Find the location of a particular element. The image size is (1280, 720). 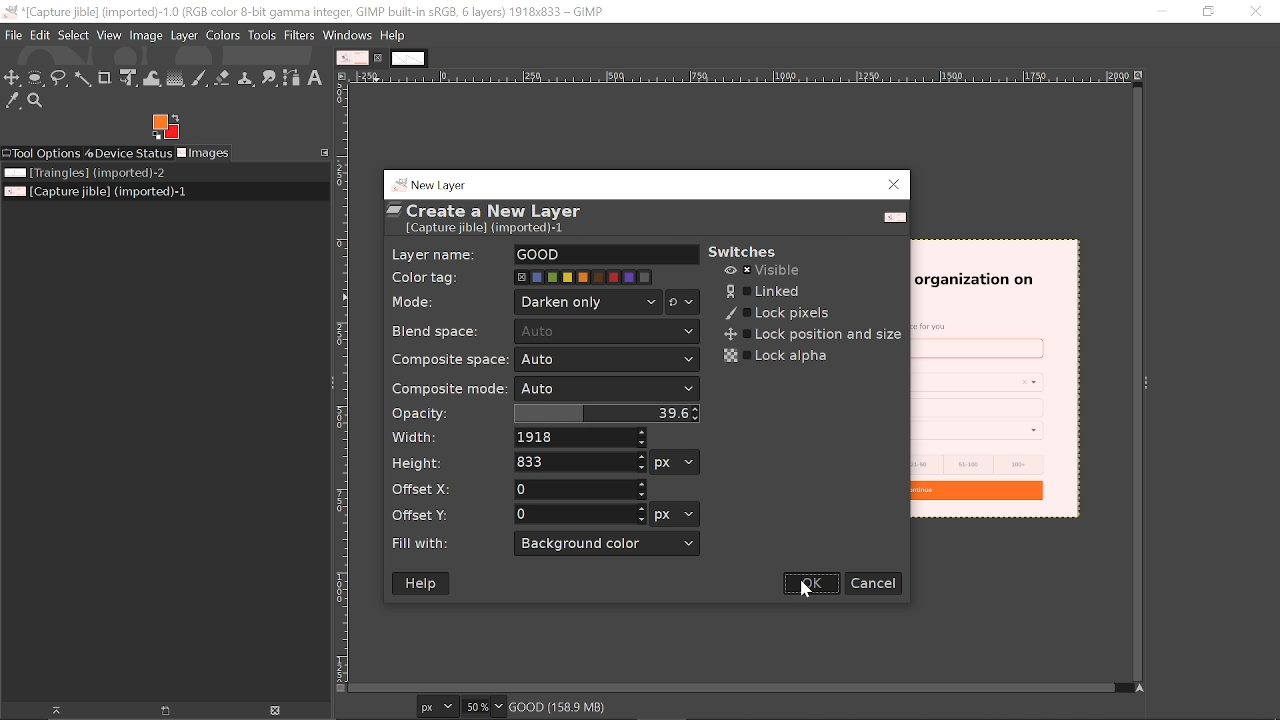

Fill with: is located at coordinates (430, 544).